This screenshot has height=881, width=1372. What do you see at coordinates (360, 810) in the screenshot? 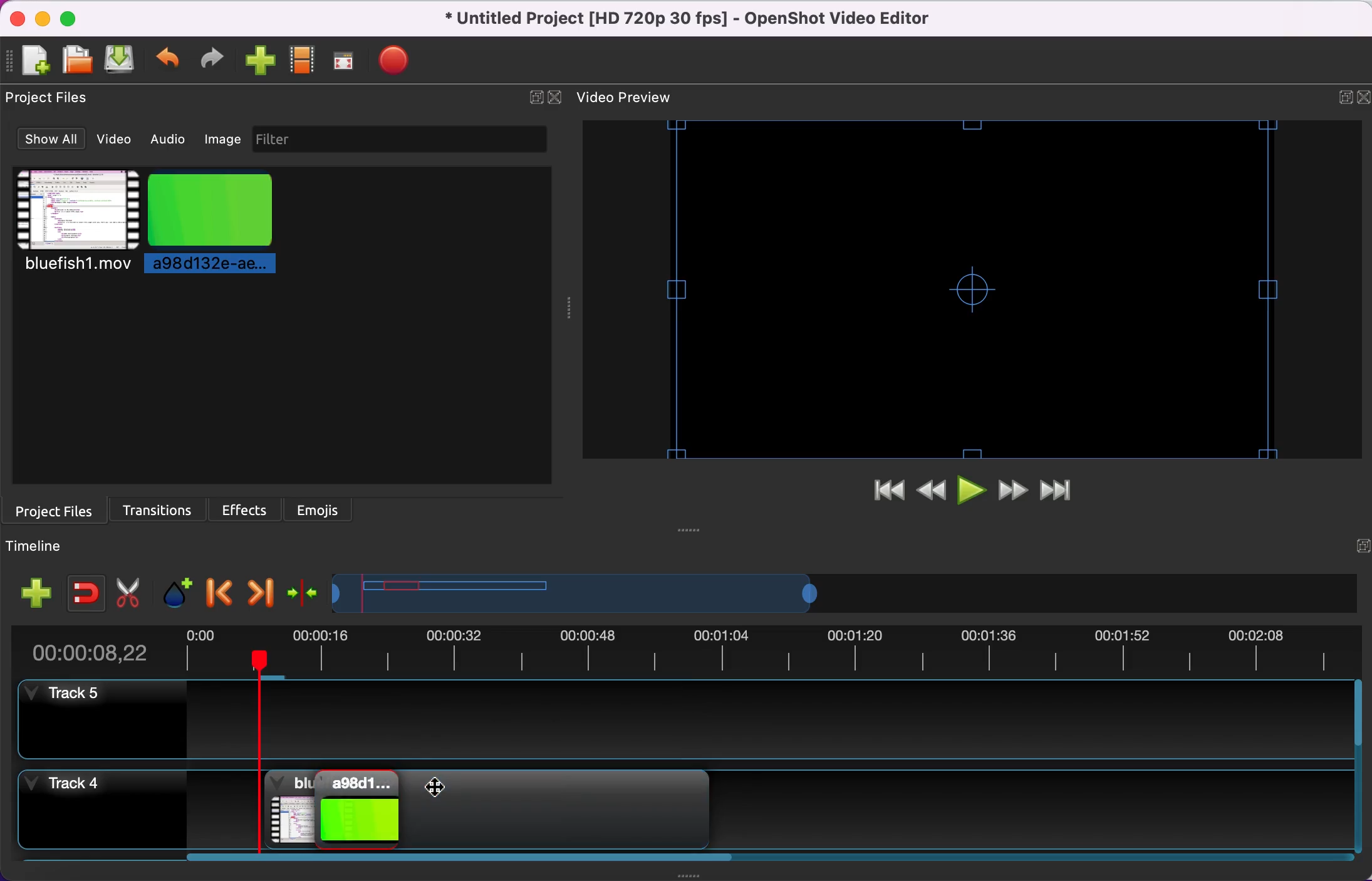
I see `picture in picture` at bounding box center [360, 810].